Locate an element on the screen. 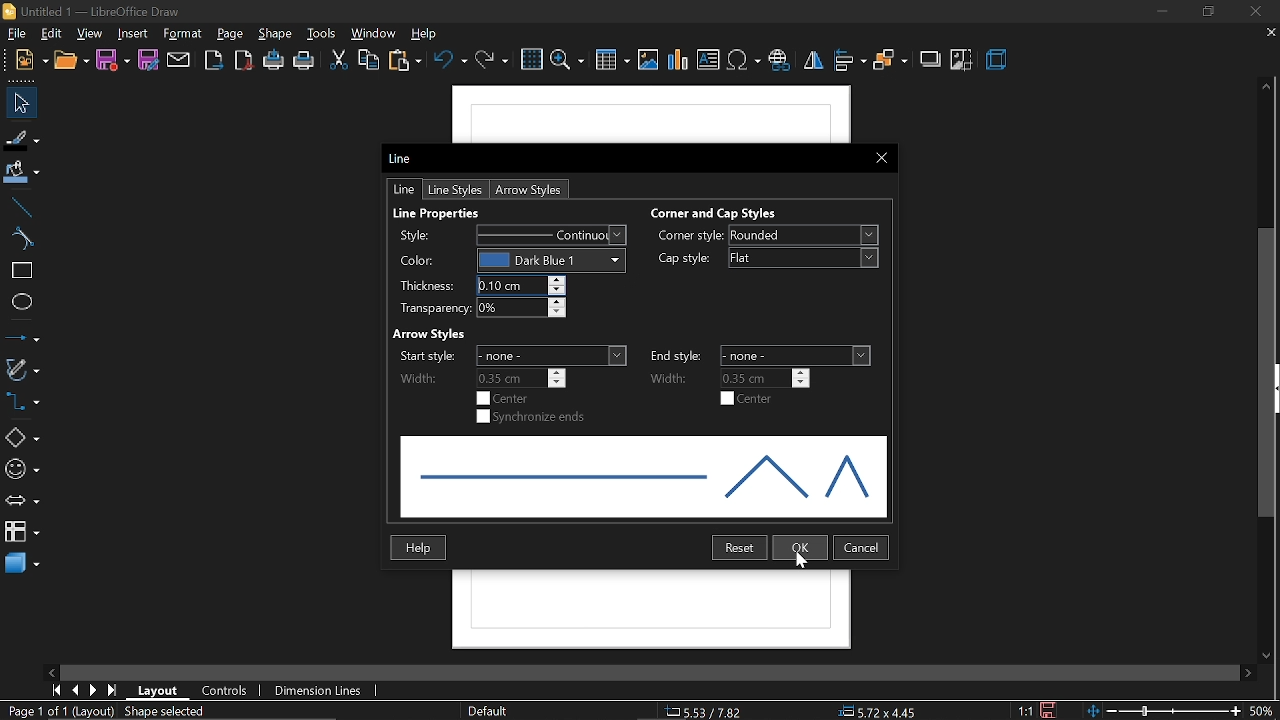  3d effect is located at coordinates (998, 61).